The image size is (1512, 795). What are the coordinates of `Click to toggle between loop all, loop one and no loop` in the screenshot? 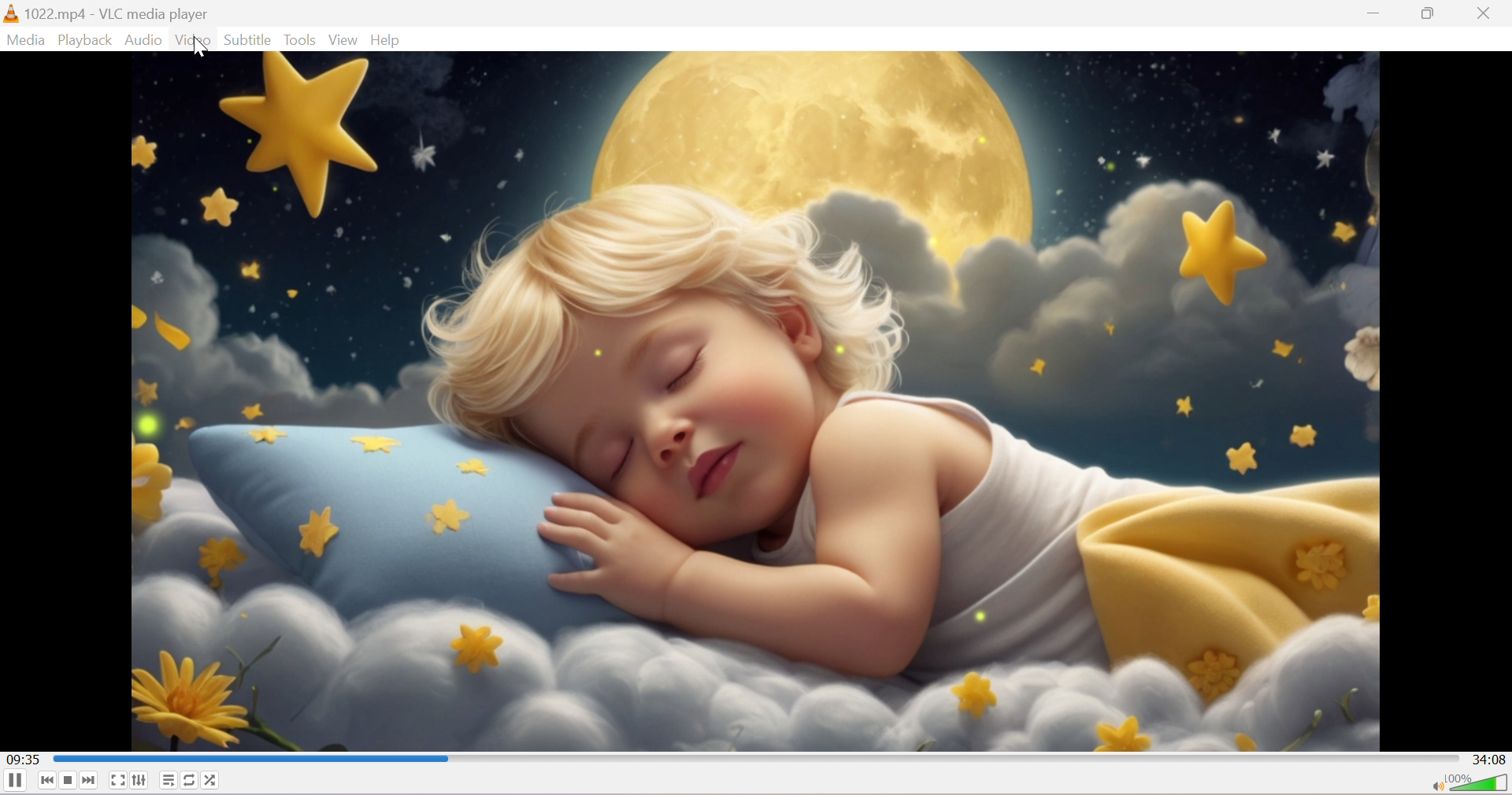 It's located at (190, 779).